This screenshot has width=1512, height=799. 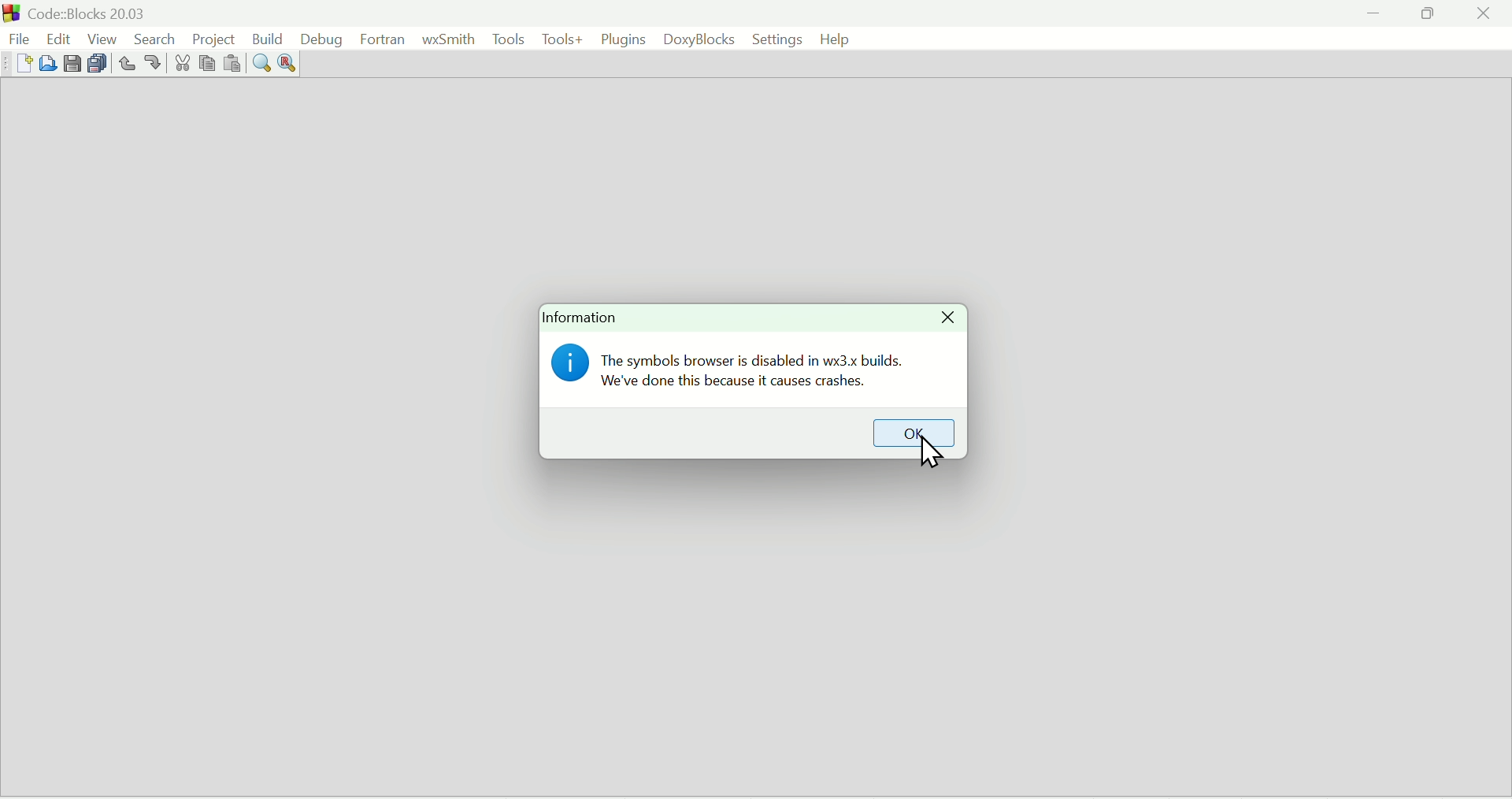 I want to click on WxSmith, so click(x=447, y=39).